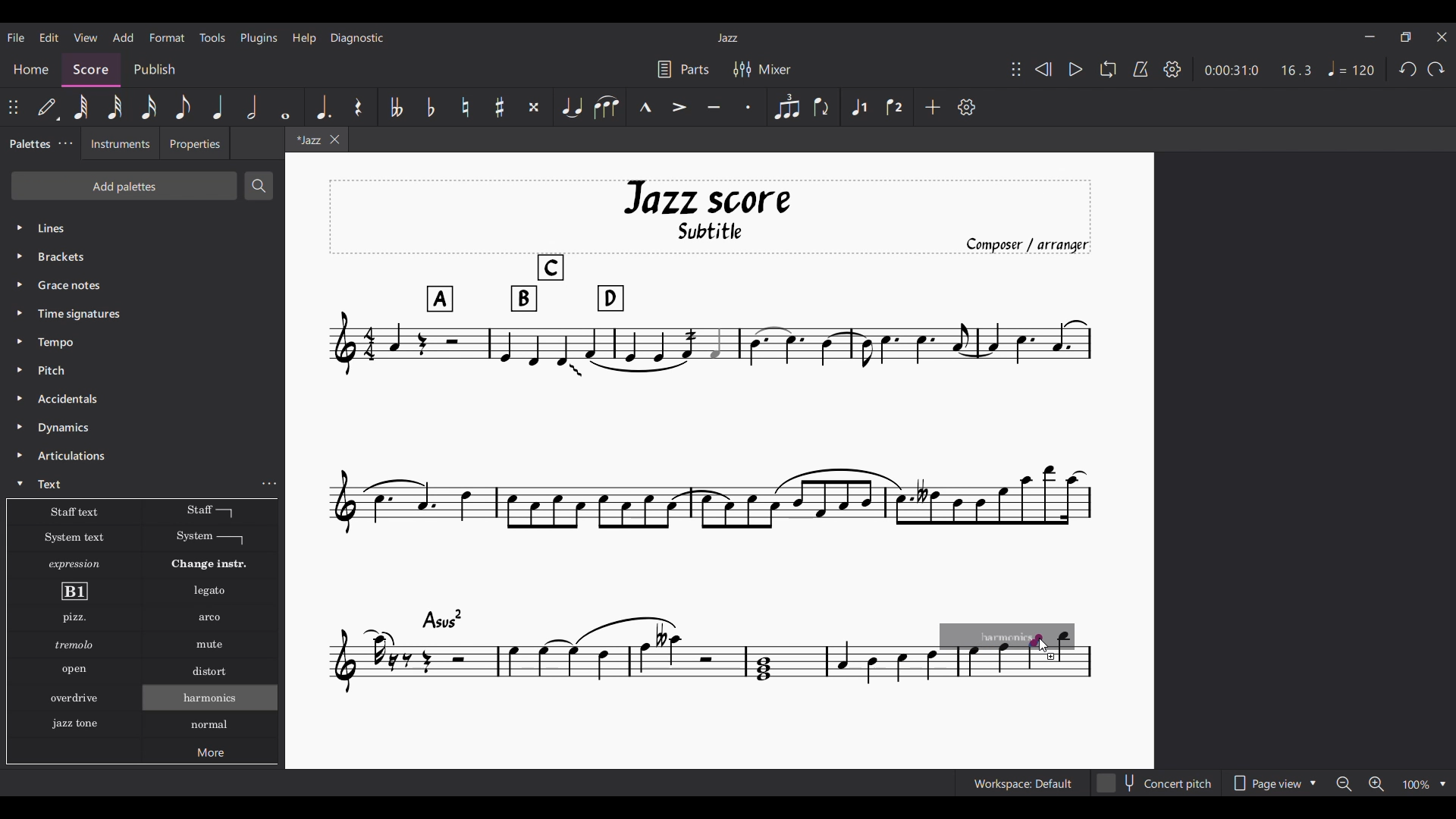  What do you see at coordinates (749, 107) in the screenshot?
I see `Staccato` at bounding box center [749, 107].